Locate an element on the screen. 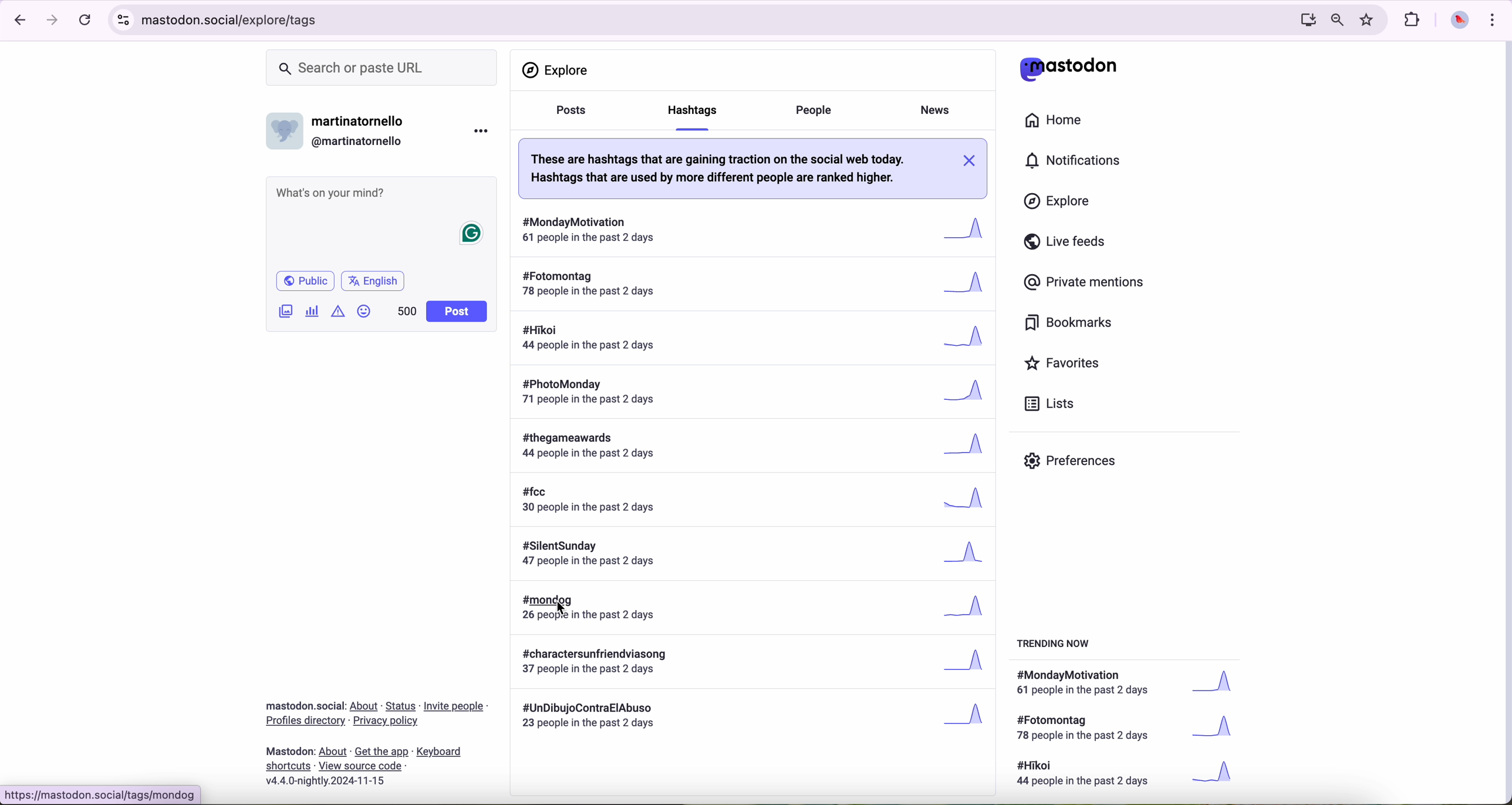  profile picture is located at coordinates (1460, 22).